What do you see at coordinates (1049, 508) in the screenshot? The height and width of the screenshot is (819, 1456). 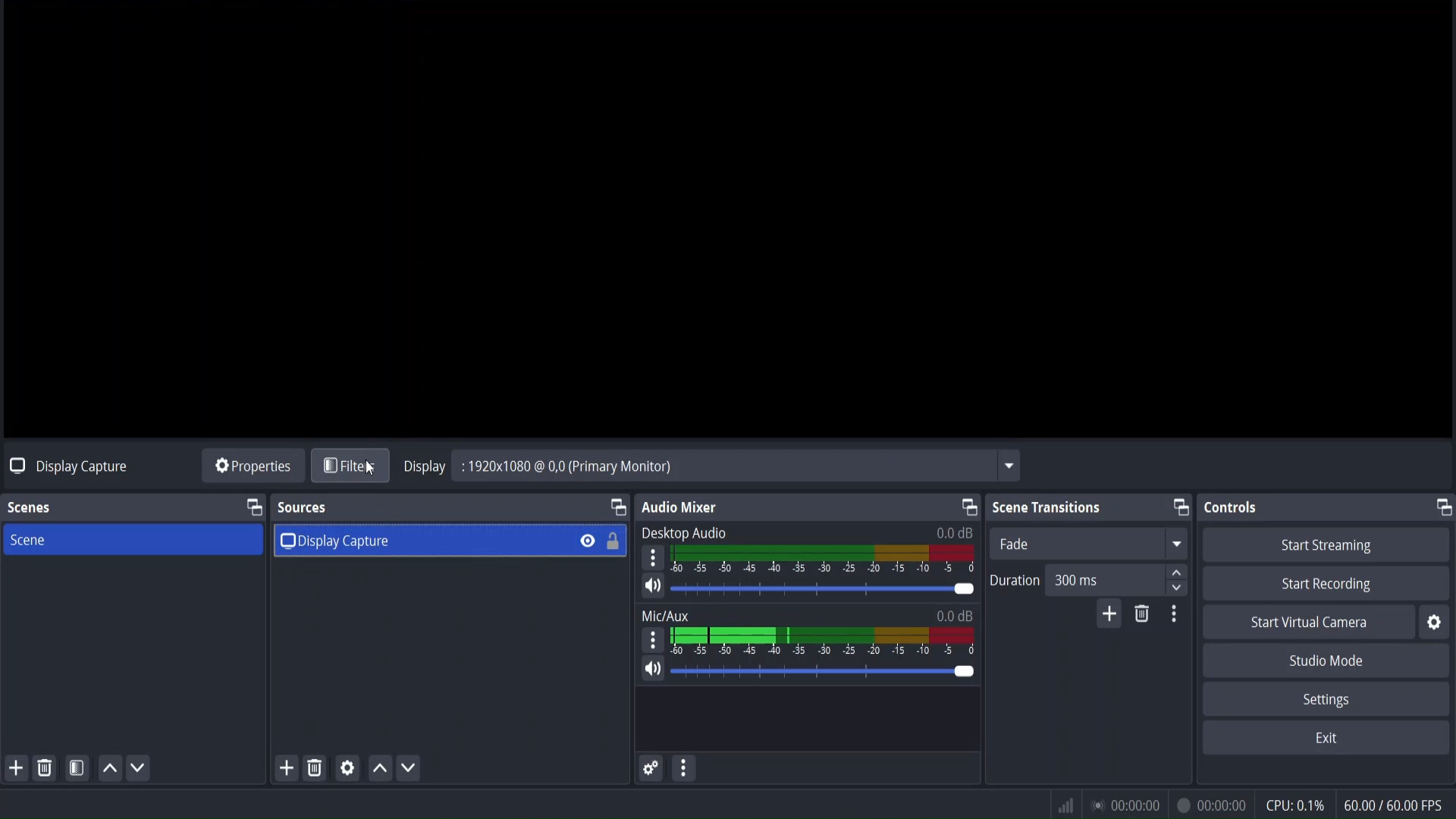 I see `scene transitions` at bounding box center [1049, 508].